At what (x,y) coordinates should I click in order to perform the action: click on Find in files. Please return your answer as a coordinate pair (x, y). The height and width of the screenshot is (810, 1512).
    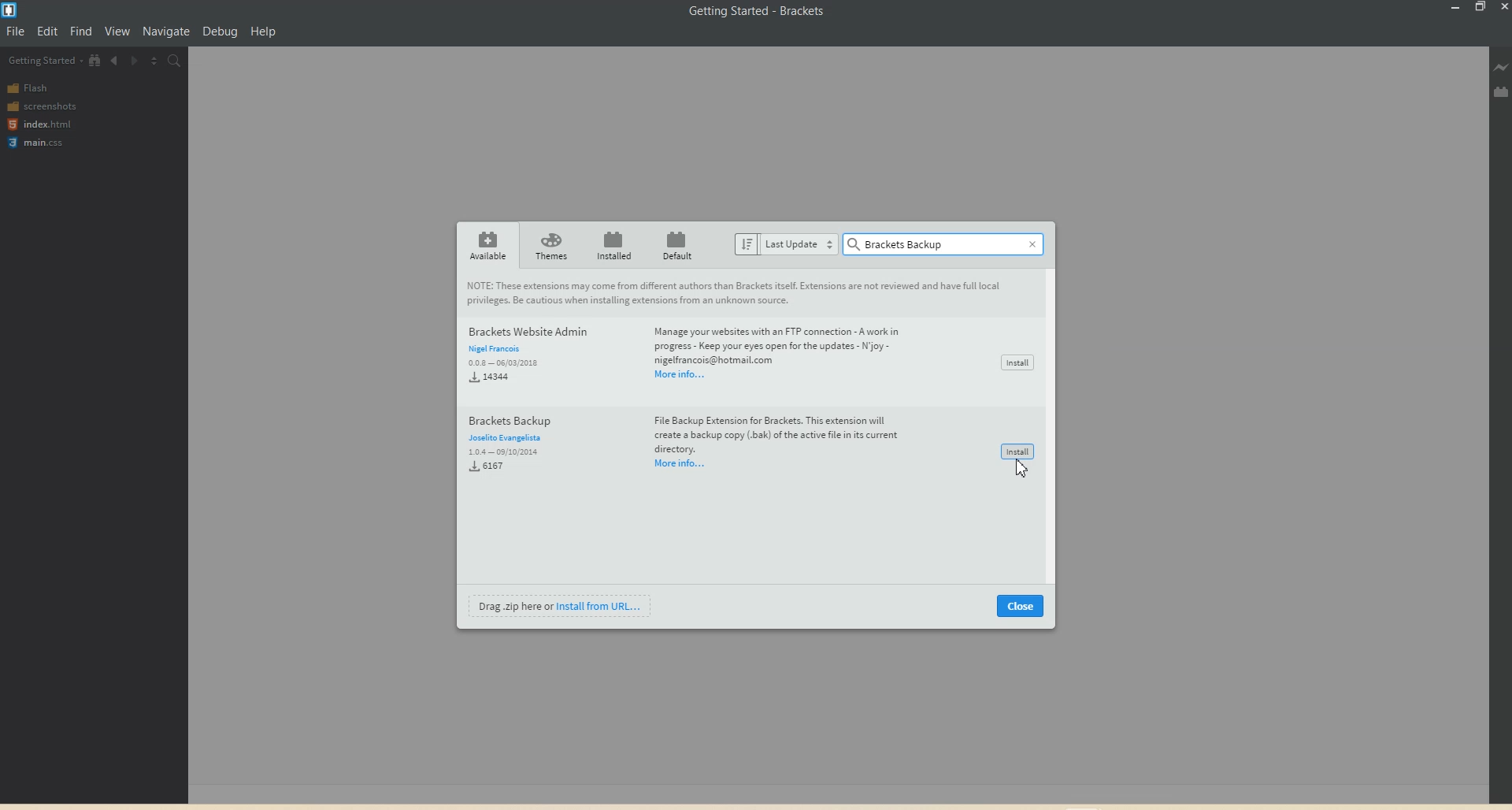
    Looking at the image, I should click on (175, 61).